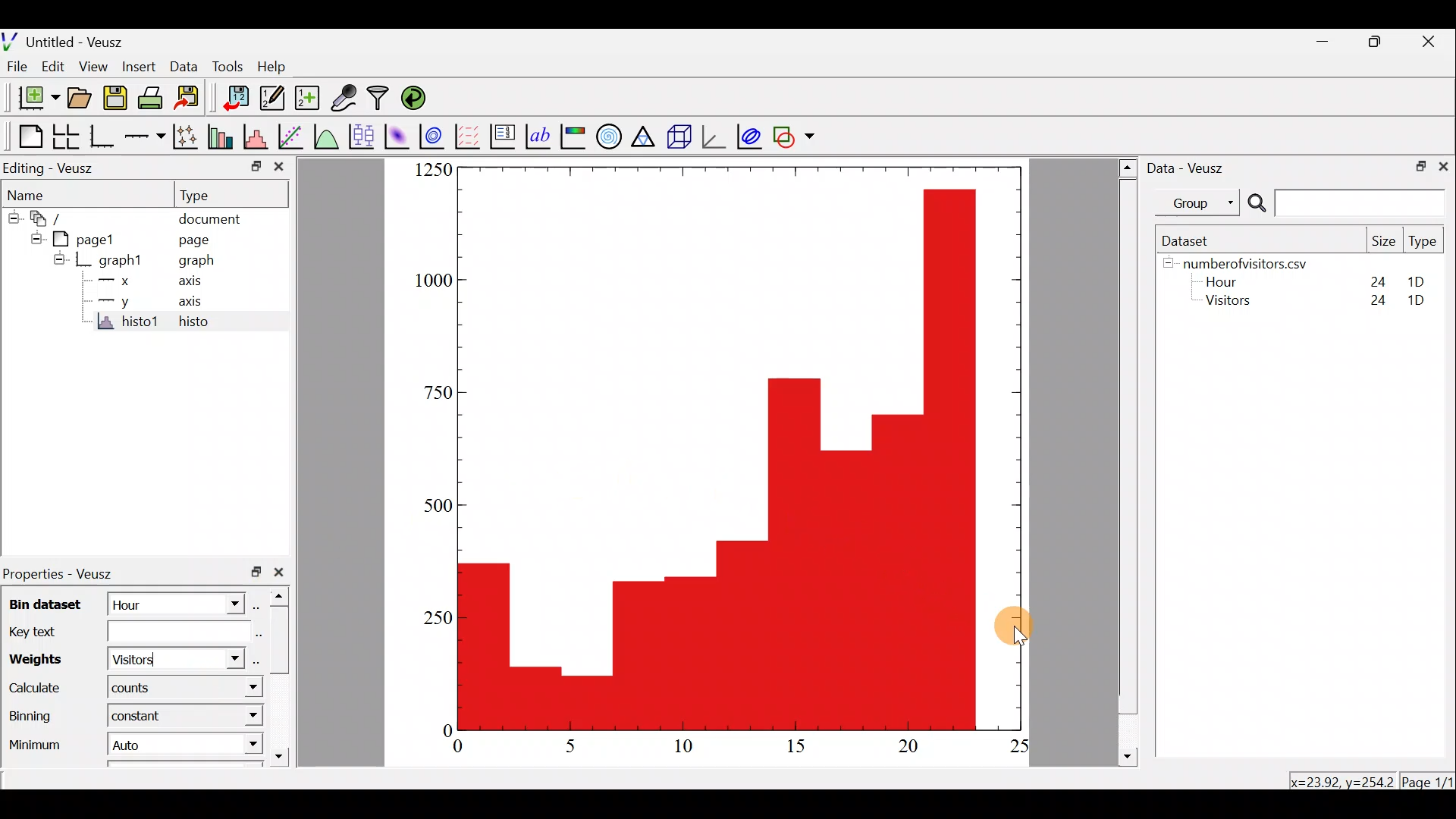  What do you see at coordinates (146, 135) in the screenshot?
I see `add an axis to the plot` at bounding box center [146, 135].